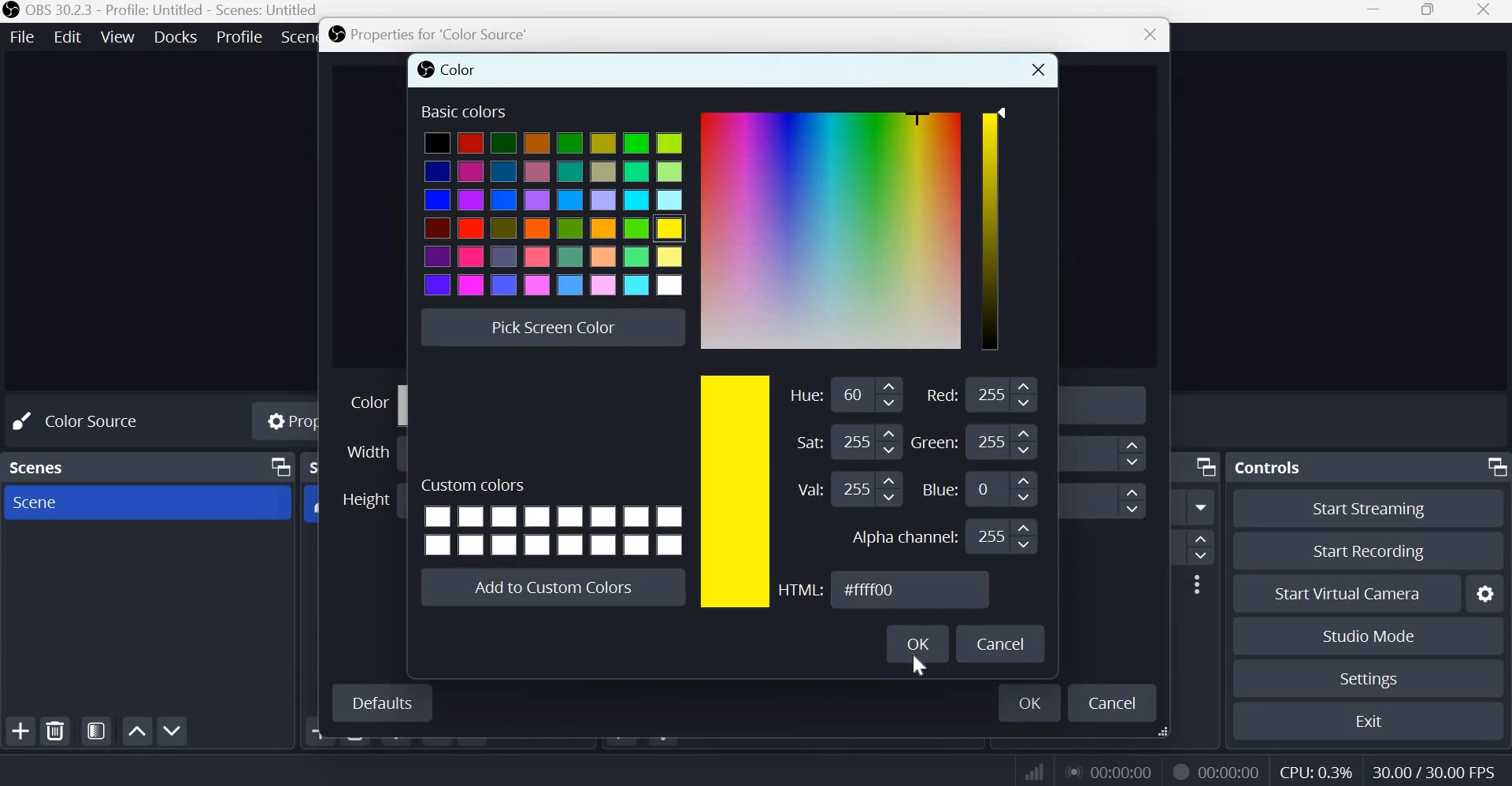 The image size is (1512, 786). I want to click on Blue: , so click(936, 488).